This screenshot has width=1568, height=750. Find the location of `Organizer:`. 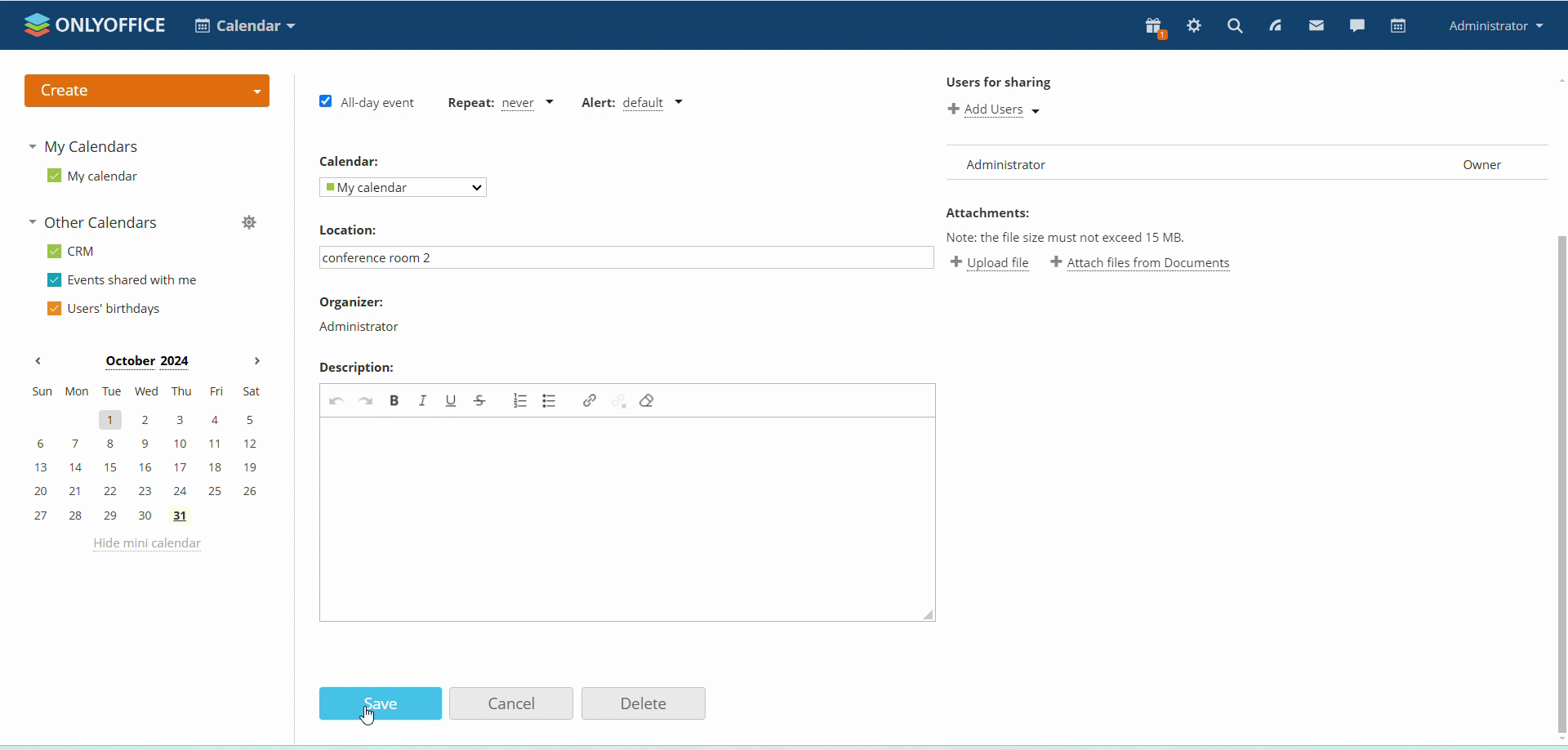

Organizer: is located at coordinates (353, 301).